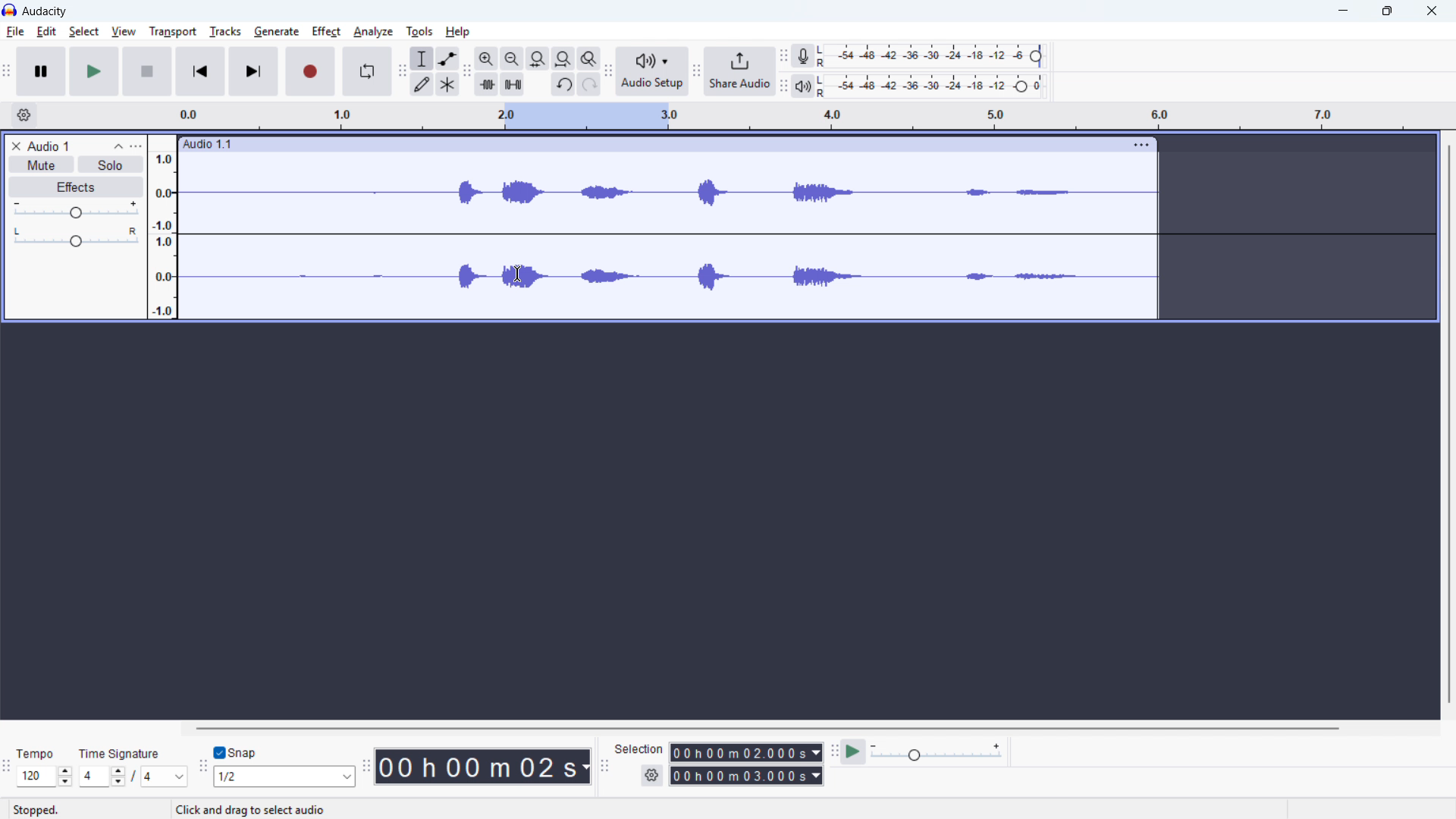 The width and height of the screenshot is (1456, 819). I want to click on Recording metre, so click(802, 57).